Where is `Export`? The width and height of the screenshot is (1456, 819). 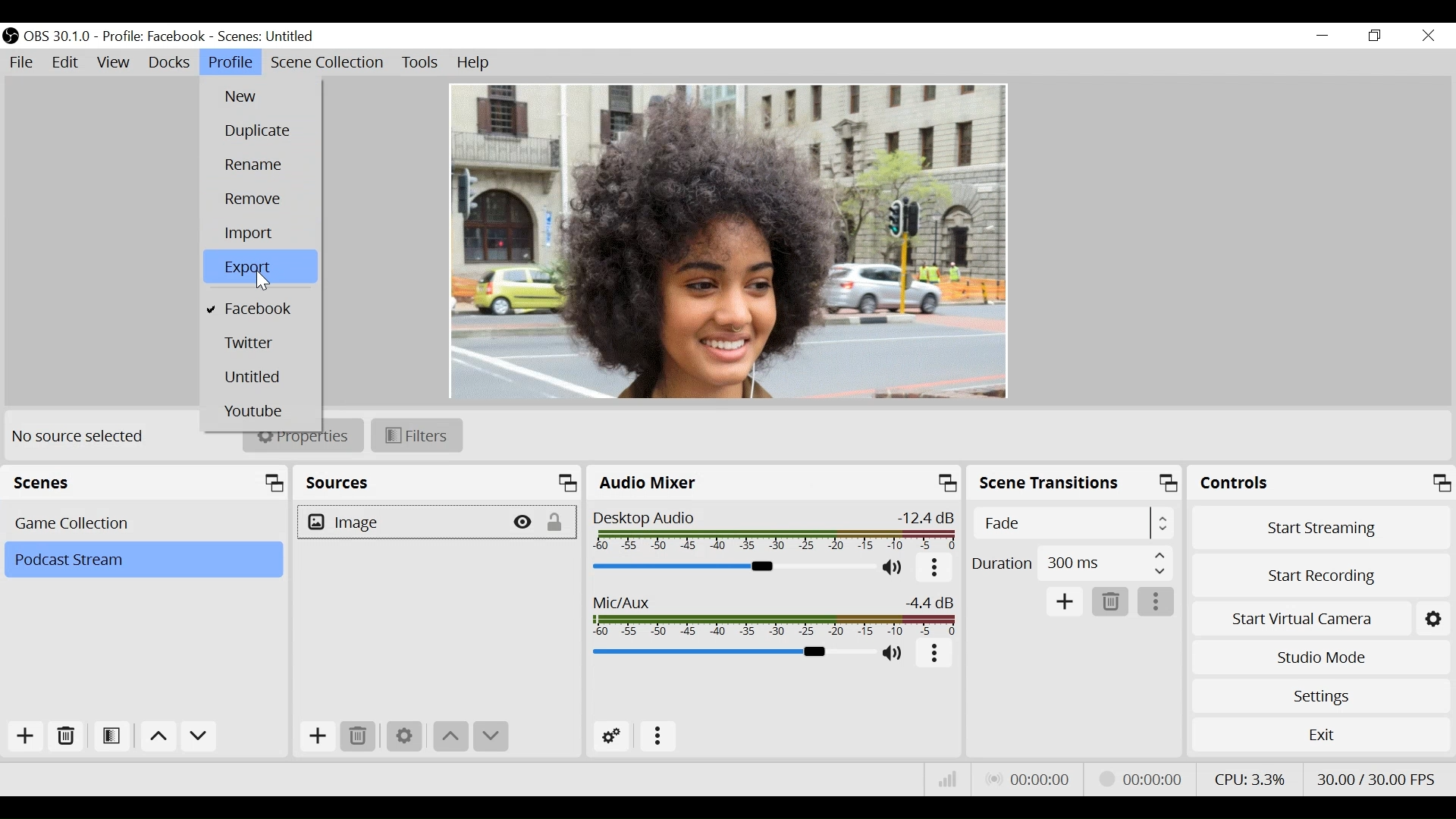
Export is located at coordinates (261, 268).